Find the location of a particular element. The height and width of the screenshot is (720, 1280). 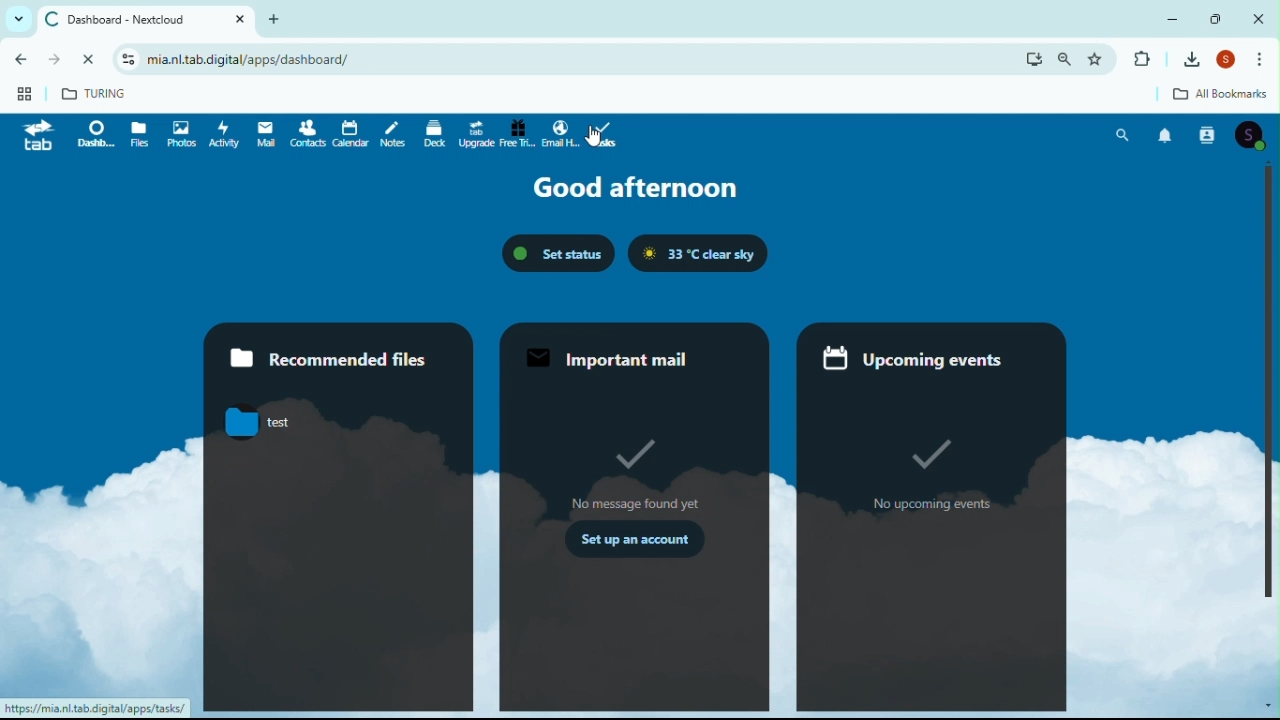

All bookmarks is located at coordinates (1222, 97).